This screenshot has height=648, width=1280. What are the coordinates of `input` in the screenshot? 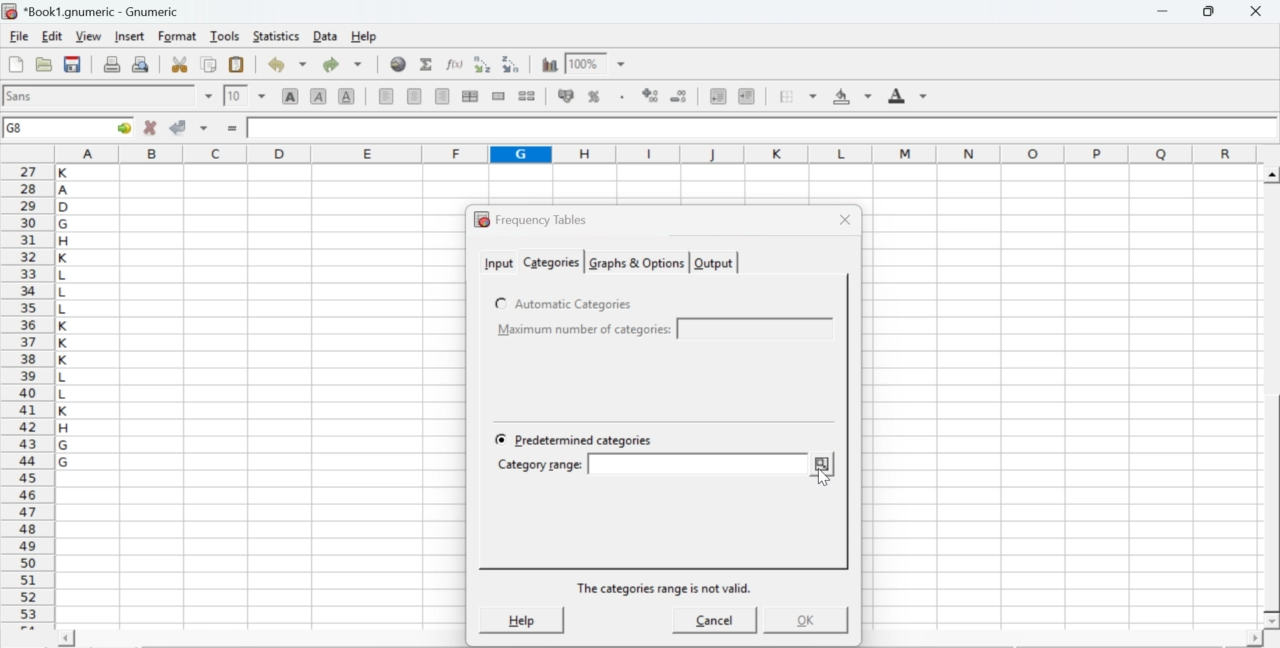 It's located at (498, 262).